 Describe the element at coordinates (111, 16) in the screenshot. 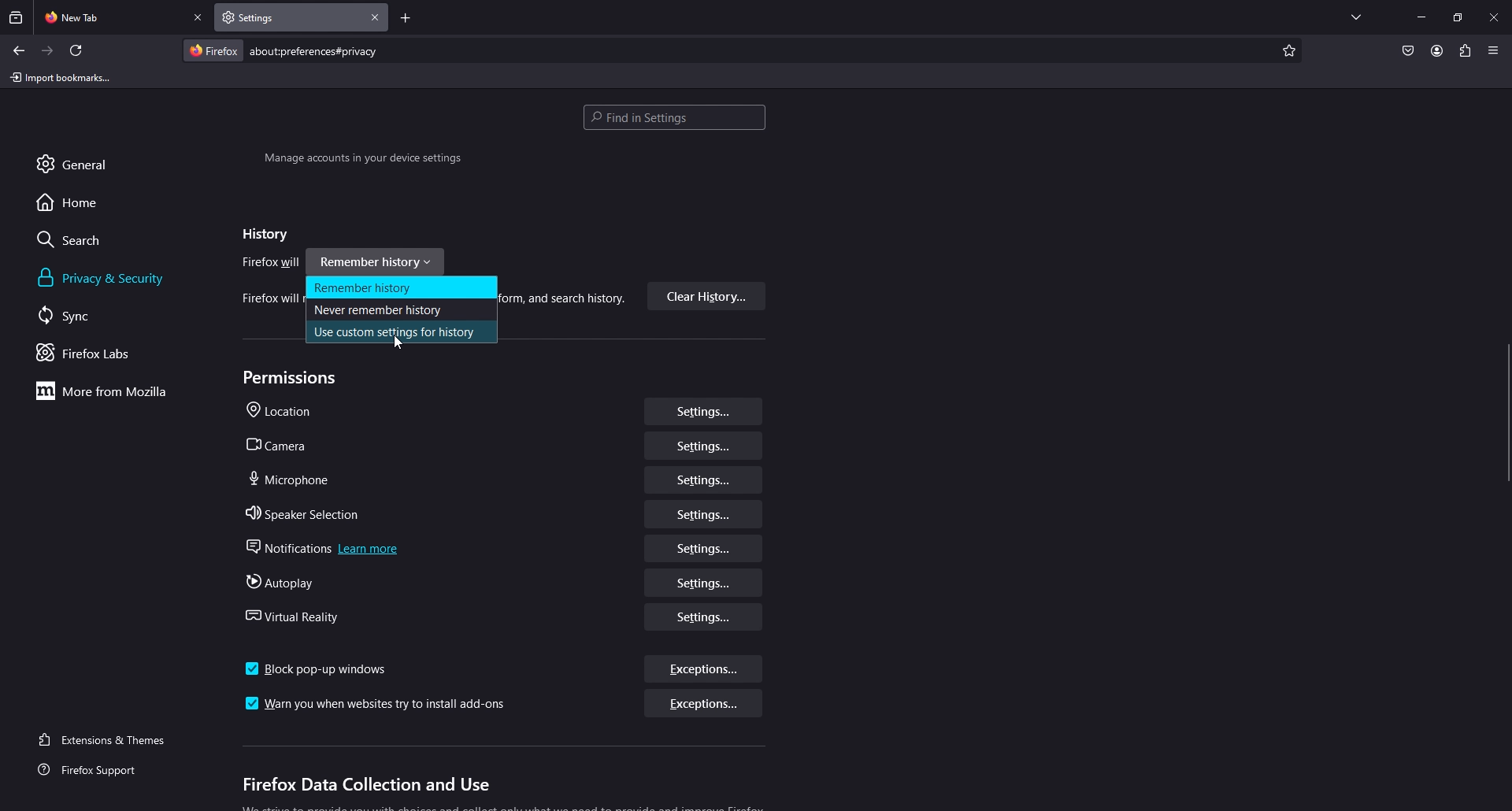

I see `new tab` at that location.